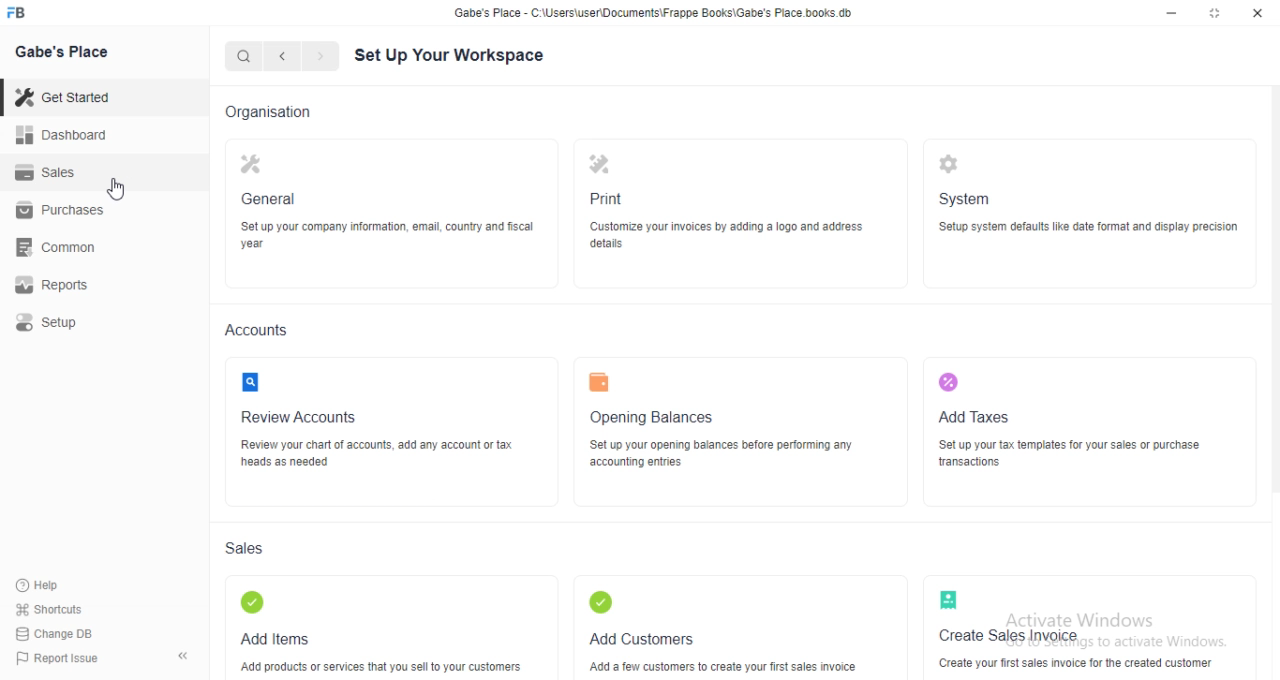  What do you see at coordinates (299, 396) in the screenshot?
I see `Review Accounts` at bounding box center [299, 396].